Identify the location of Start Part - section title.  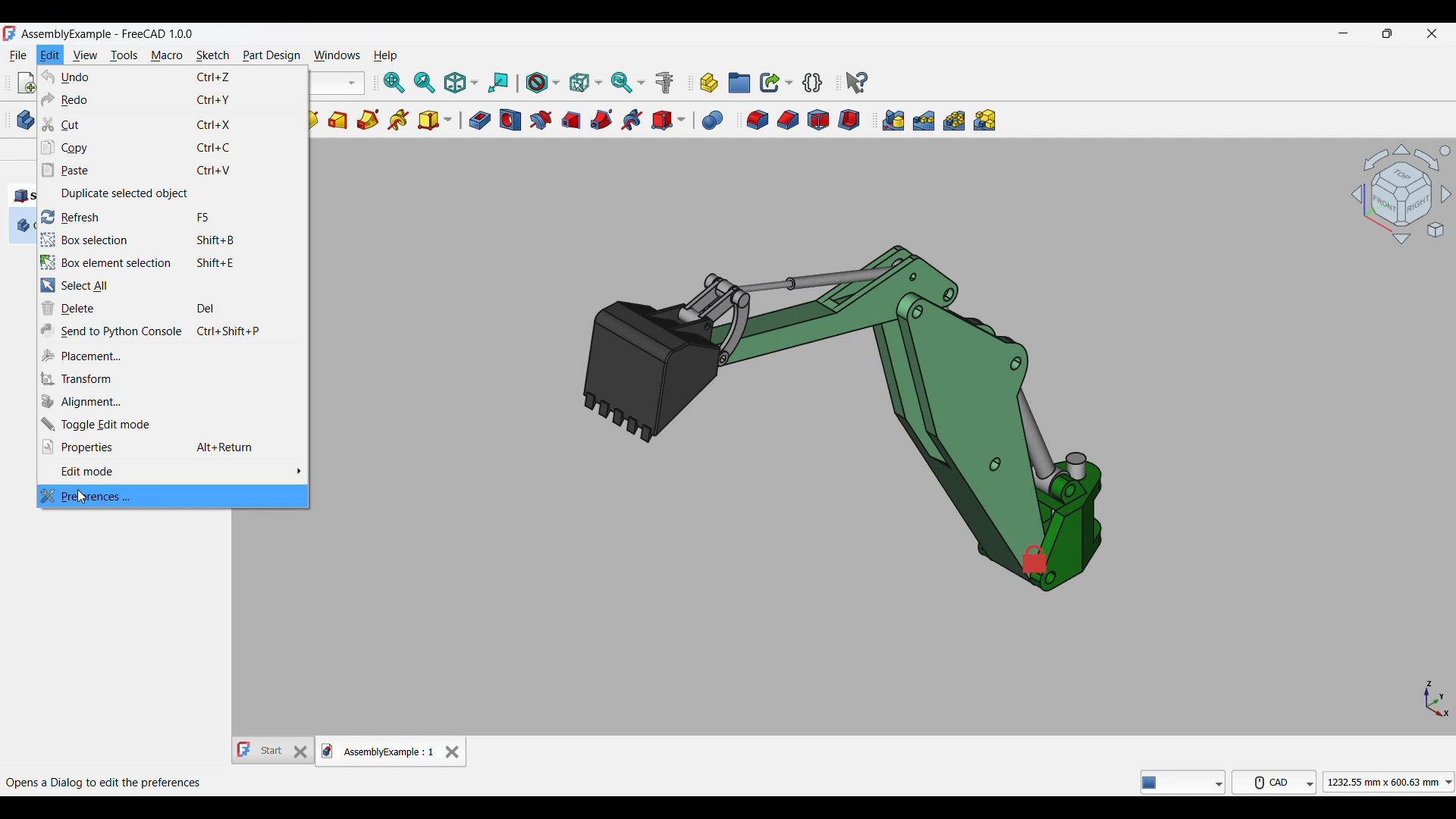
(23, 196).